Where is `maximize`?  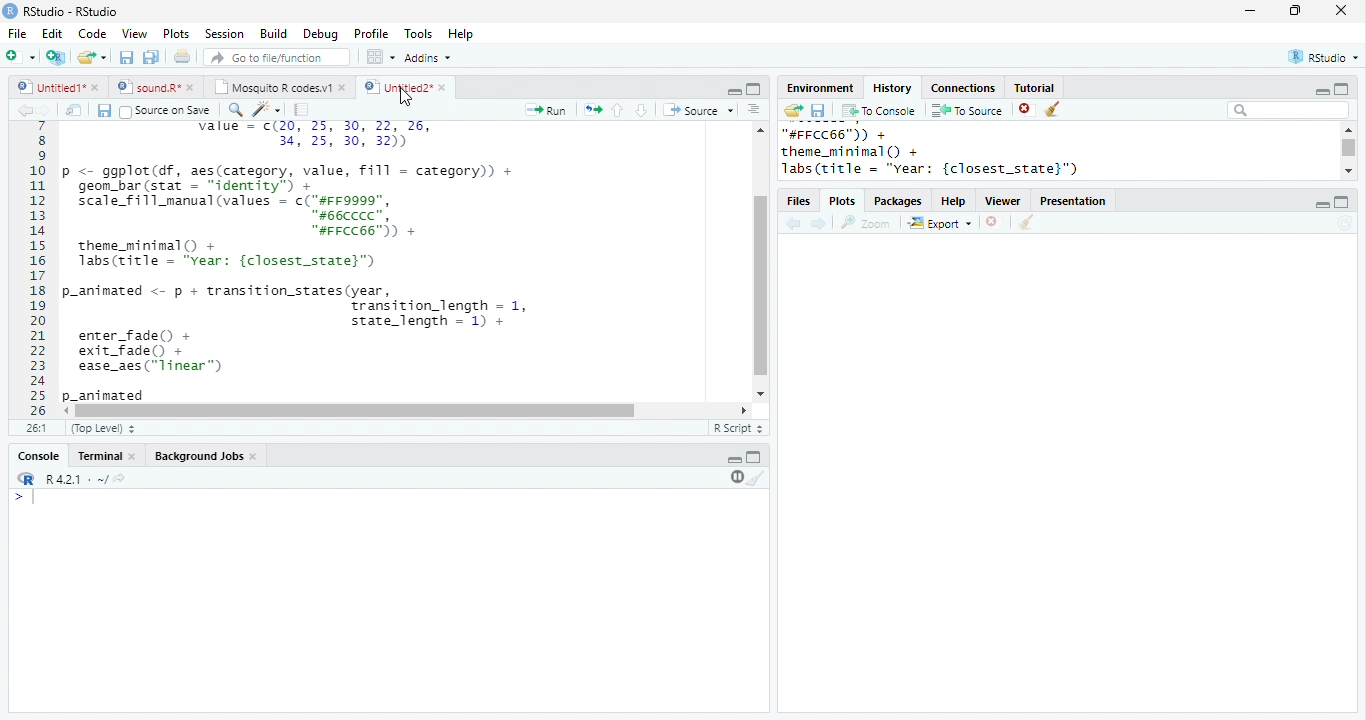 maximize is located at coordinates (1342, 202).